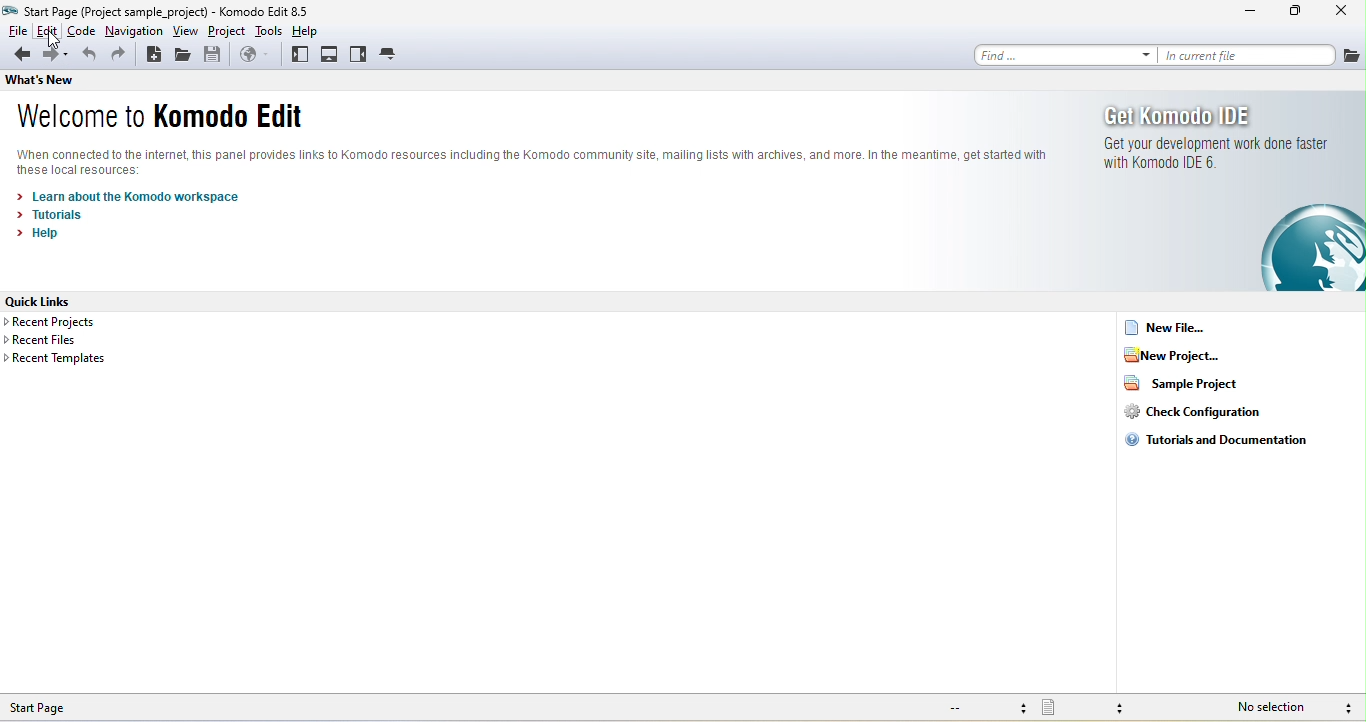 The height and width of the screenshot is (722, 1366). What do you see at coordinates (1235, 11) in the screenshot?
I see `minimize` at bounding box center [1235, 11].